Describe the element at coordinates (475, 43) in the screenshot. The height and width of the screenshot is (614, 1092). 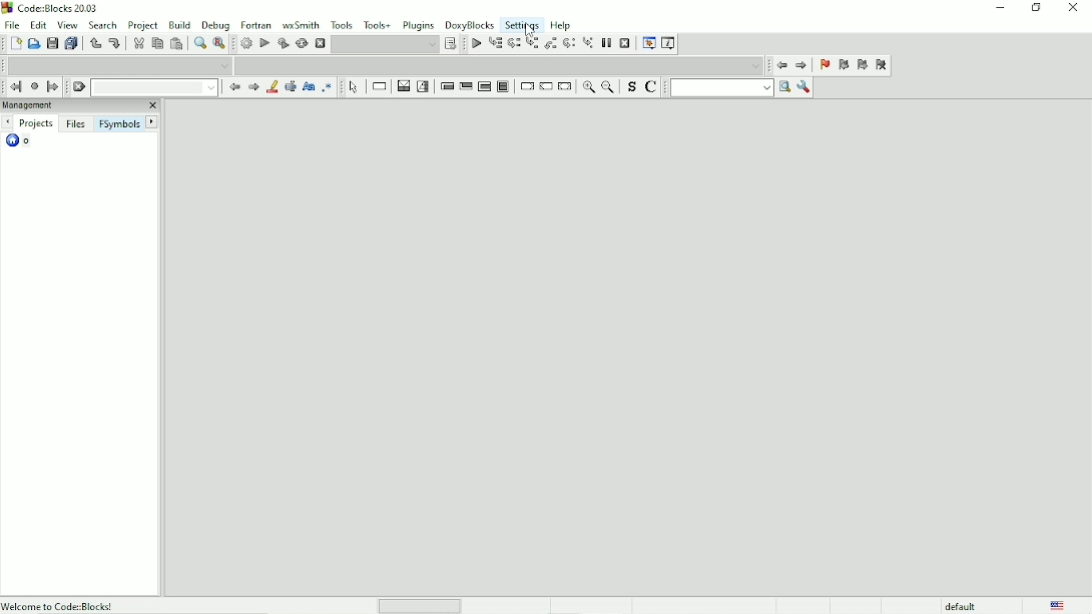
I see `Debug/Continue` at that location.